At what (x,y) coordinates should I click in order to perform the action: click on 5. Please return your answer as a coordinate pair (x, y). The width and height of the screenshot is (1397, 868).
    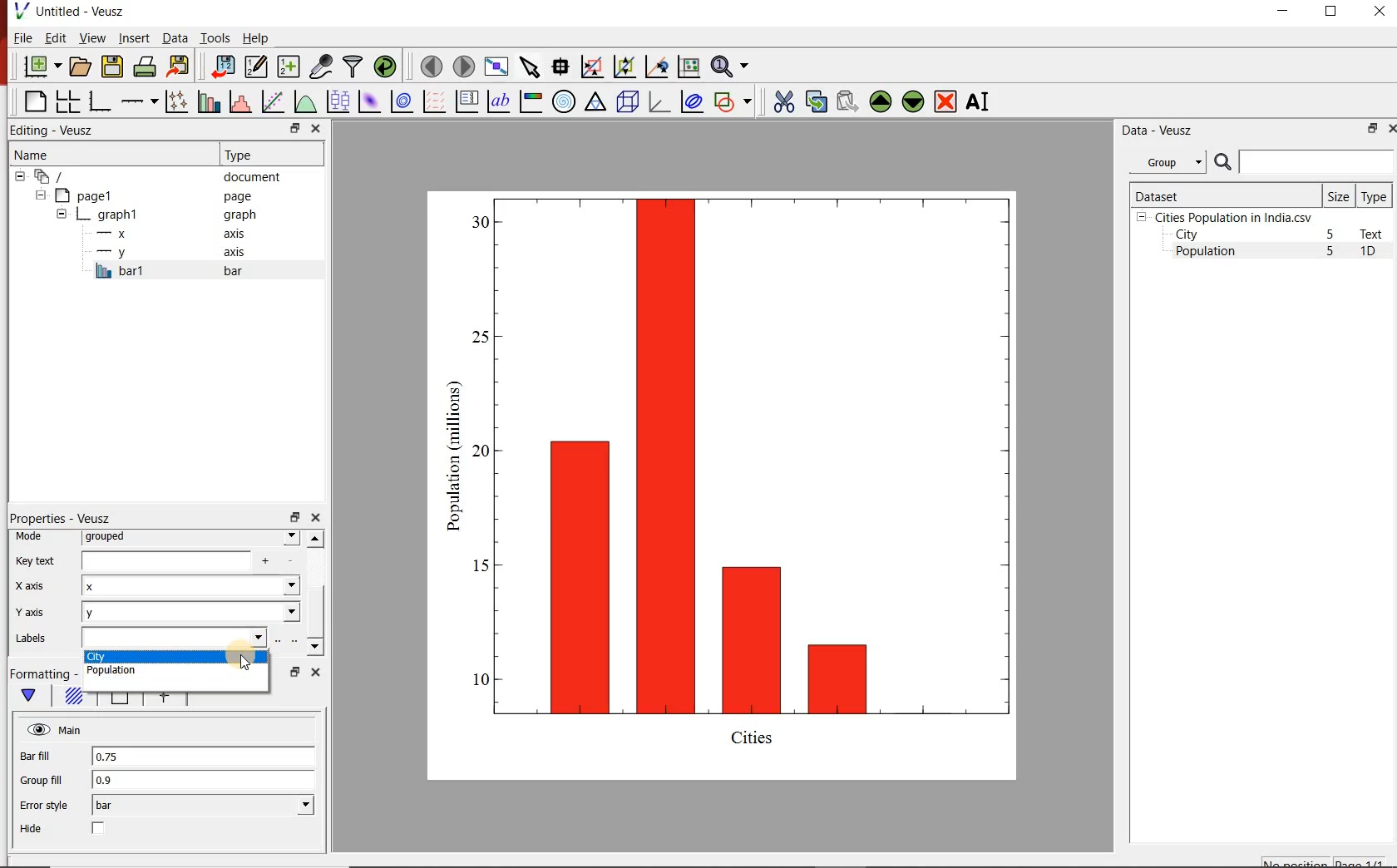
    Looking at the image, I should click on (1331, 235).